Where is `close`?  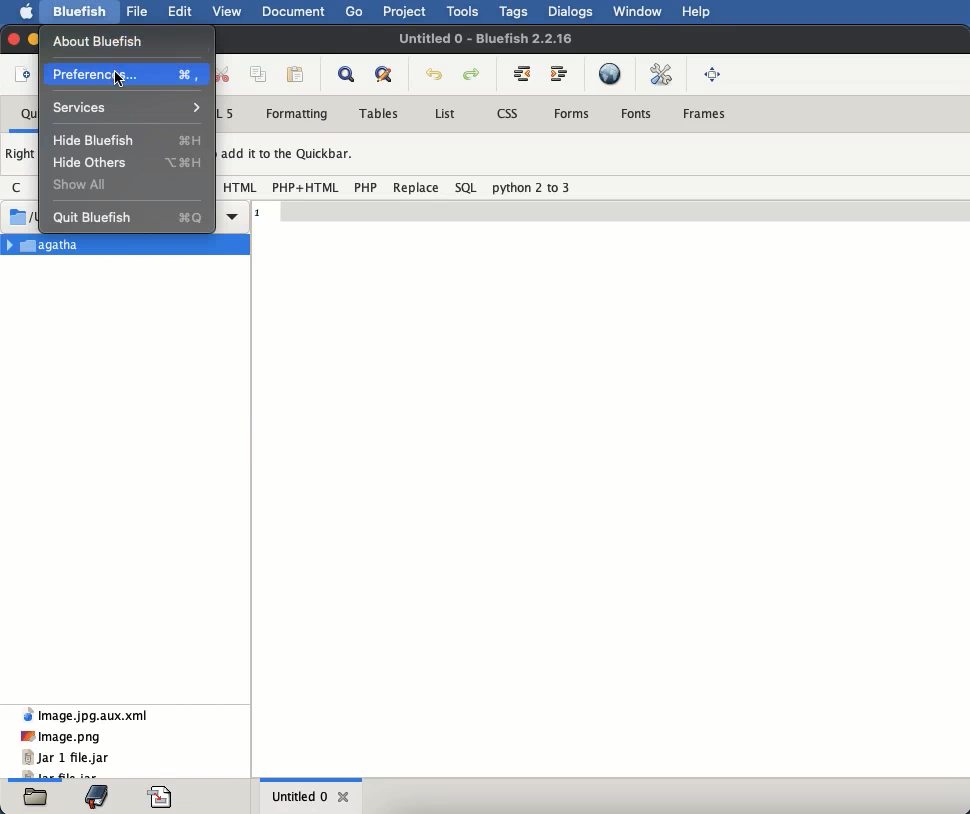 close is located at coordinates (345, 797).